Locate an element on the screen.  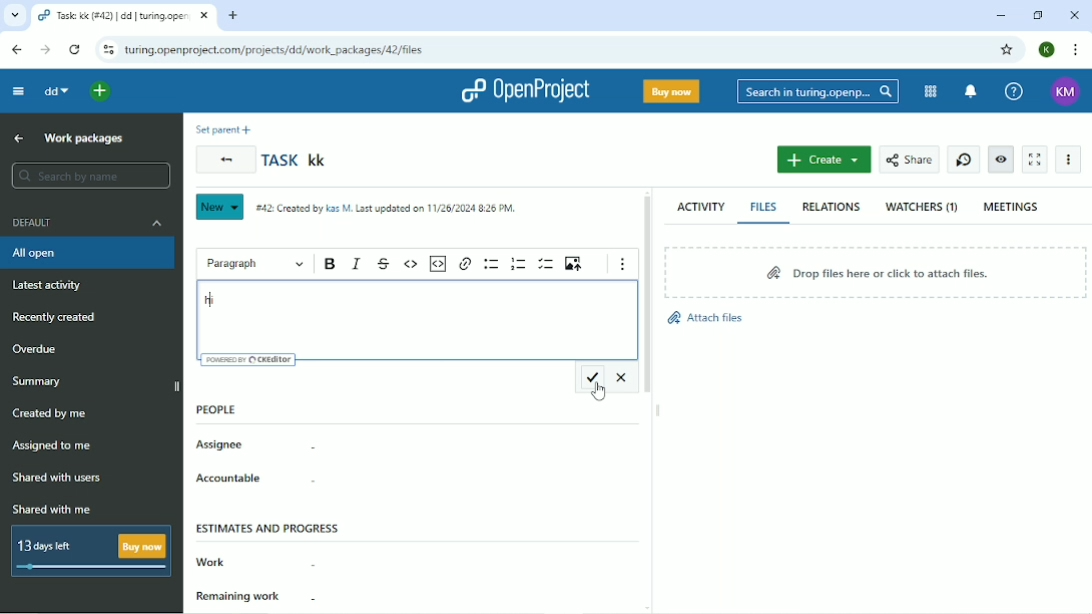
Activity is located at coordinates (702, 208).